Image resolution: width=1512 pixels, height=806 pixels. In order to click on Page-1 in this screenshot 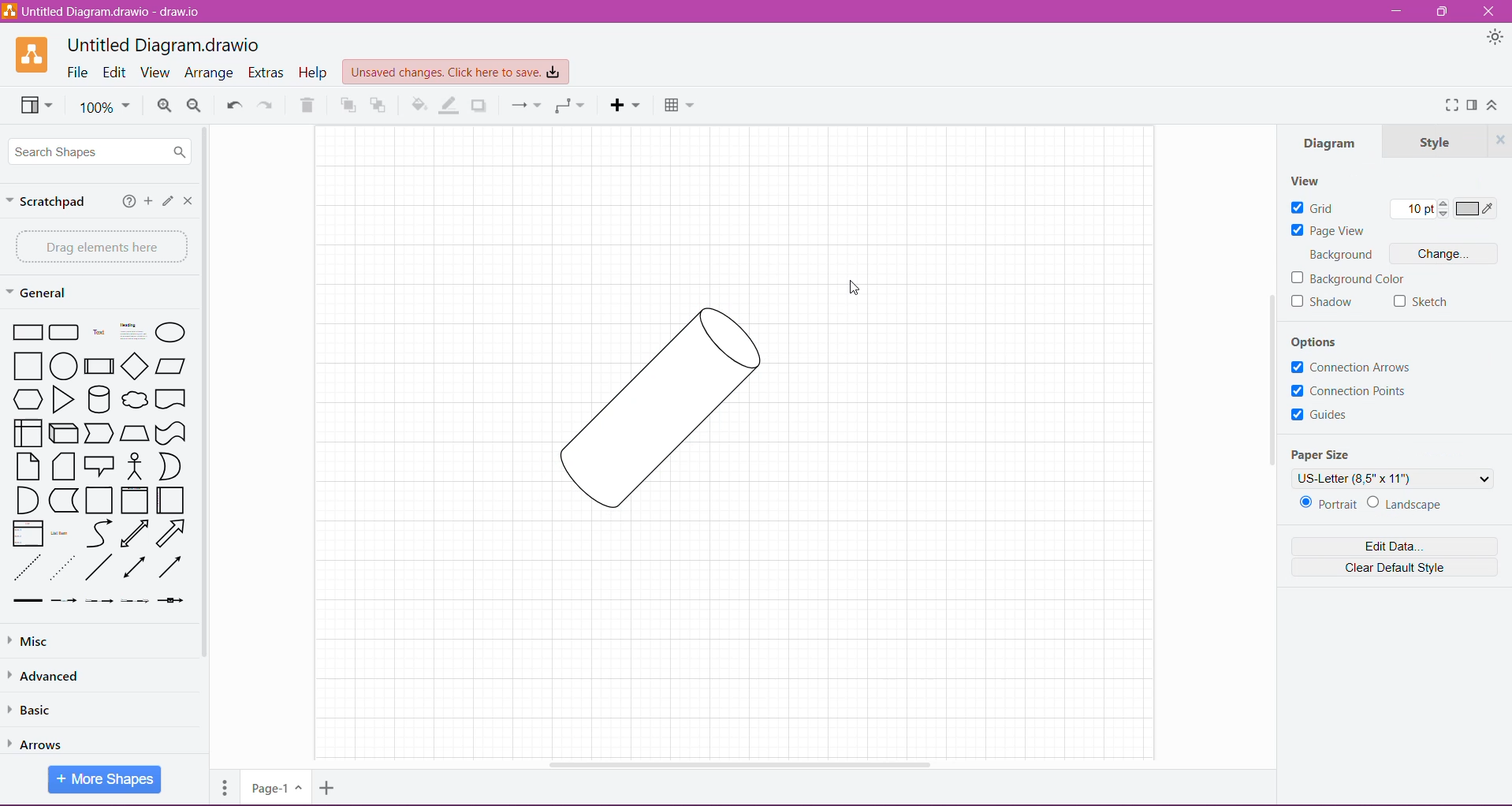, I will do `click(274, 788)`.